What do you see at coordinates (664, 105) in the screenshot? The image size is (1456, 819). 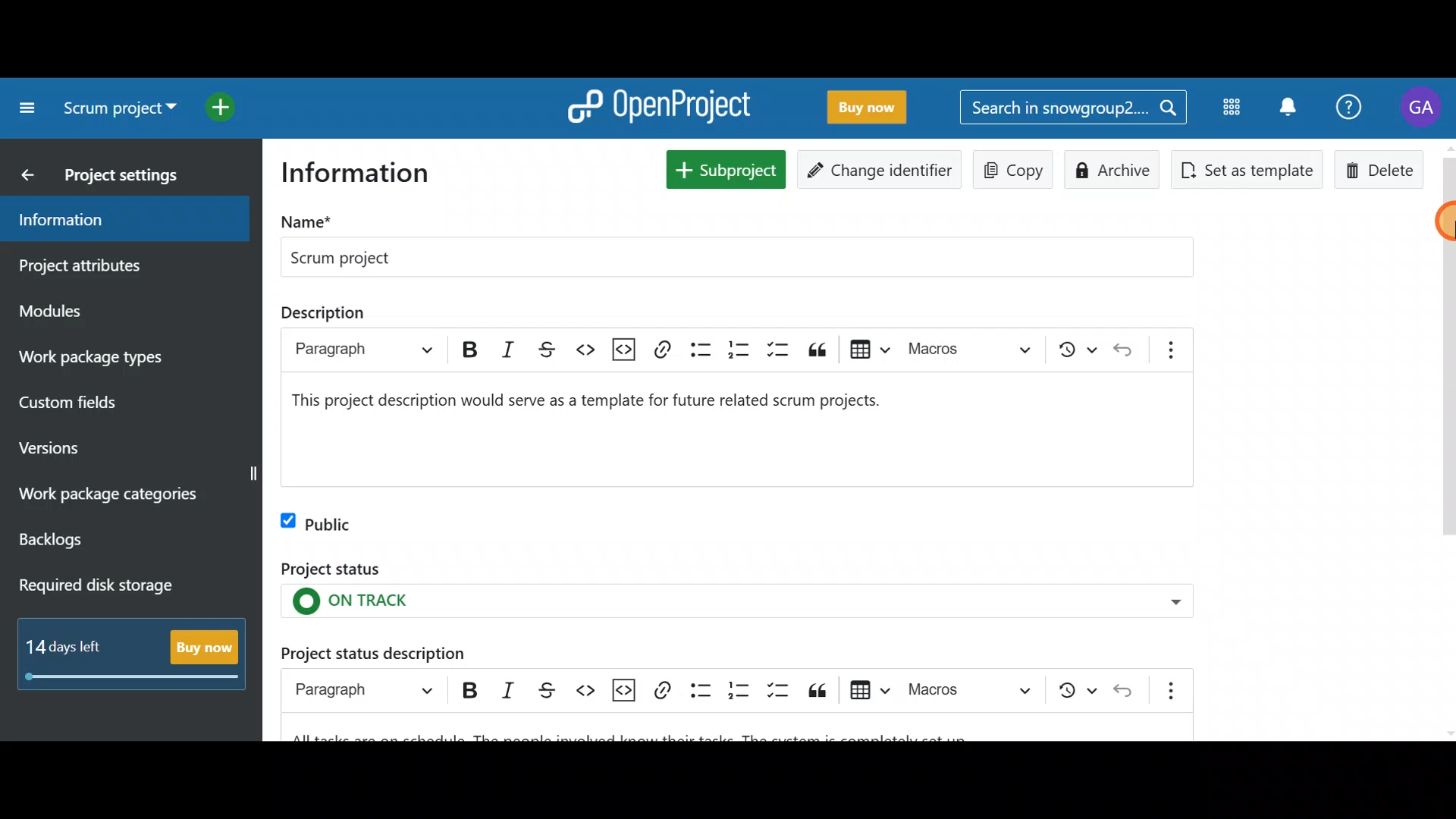 I see `OpenProject` at bounding box center [664, 105].